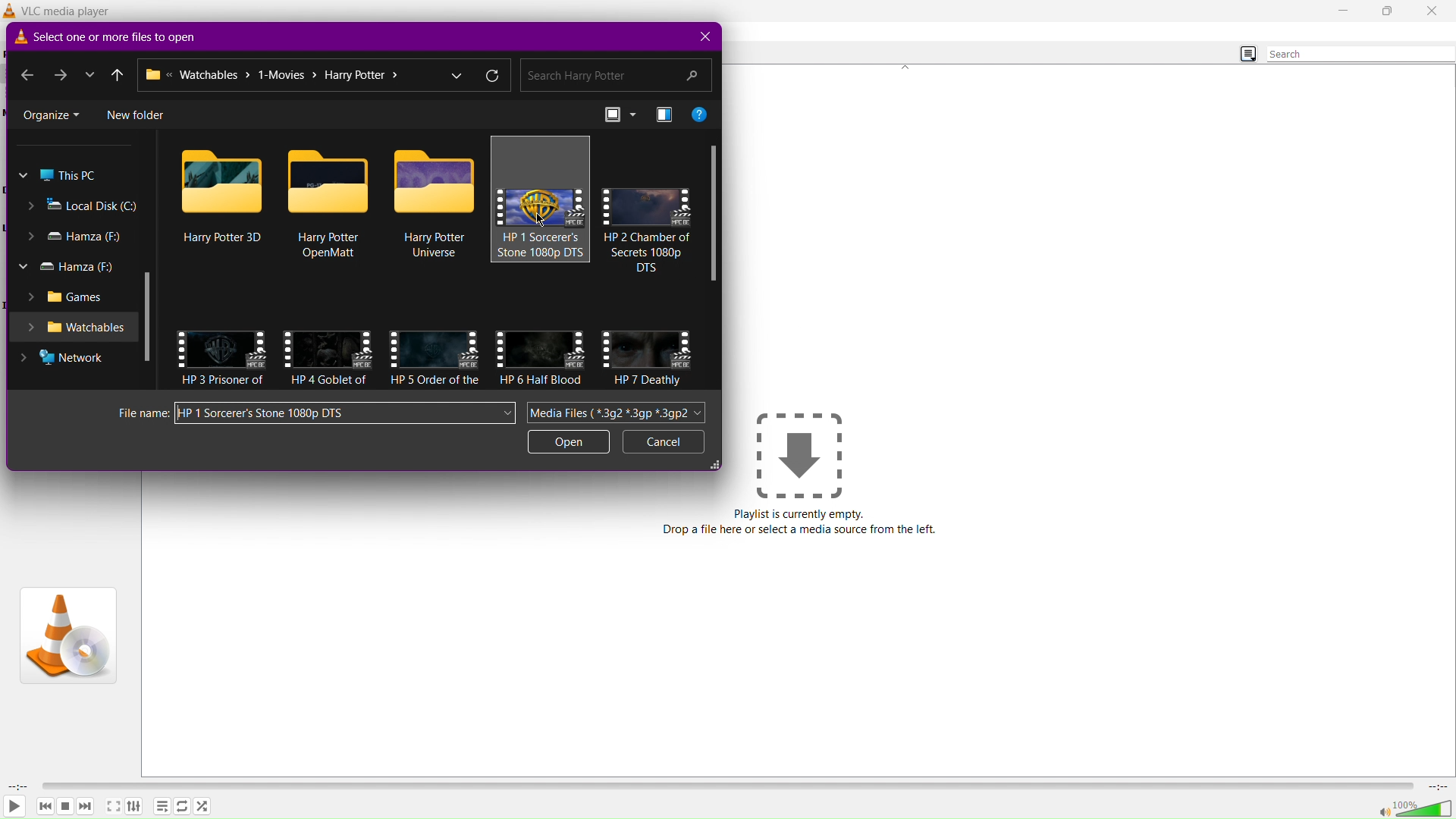 This screenshot has width=1456, height=819. Describe the element at coordinates (1386, 11) in the screenshot. I see `Maximize` at that location.